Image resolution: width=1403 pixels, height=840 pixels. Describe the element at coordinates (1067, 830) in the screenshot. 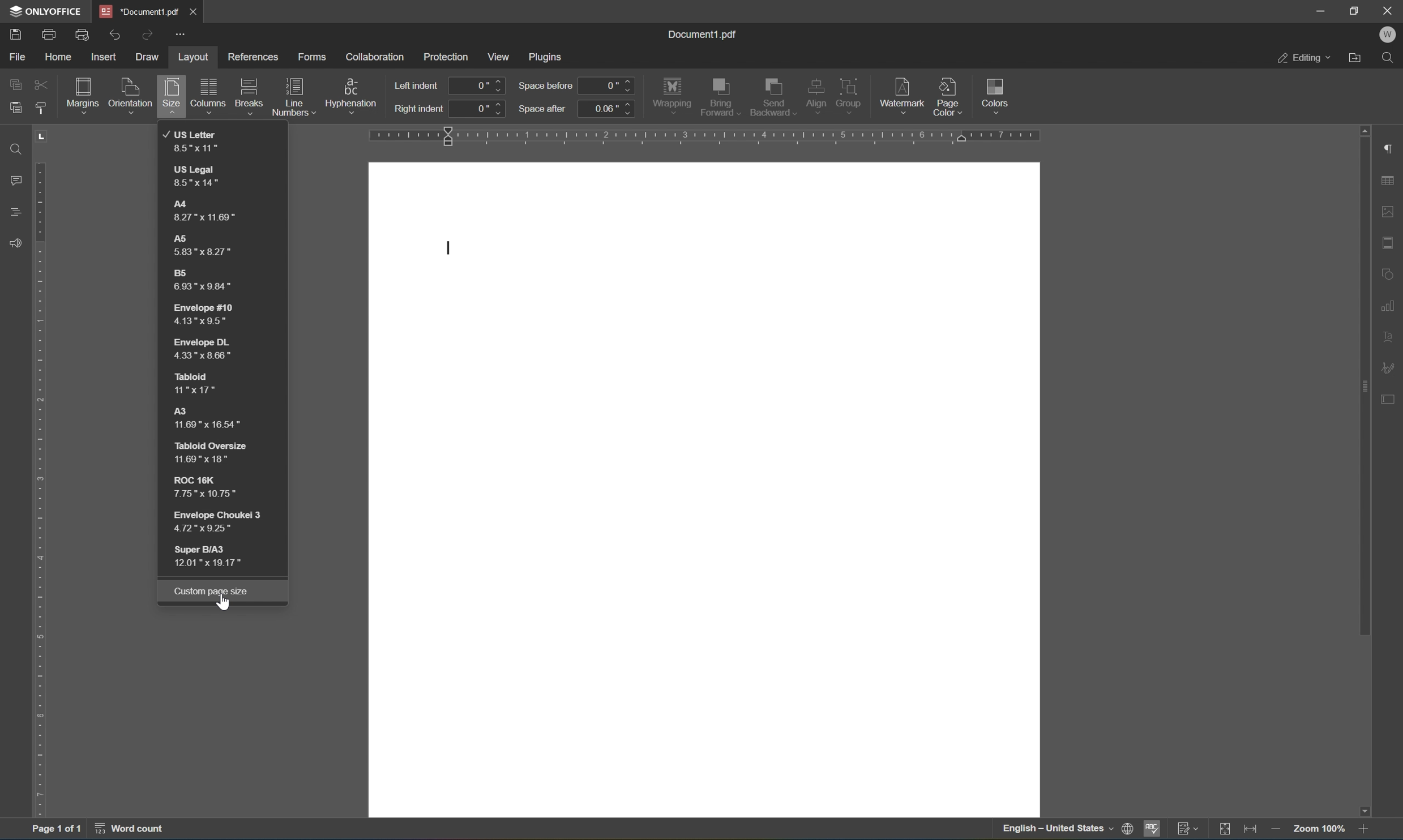

I see `set document language` at that location.